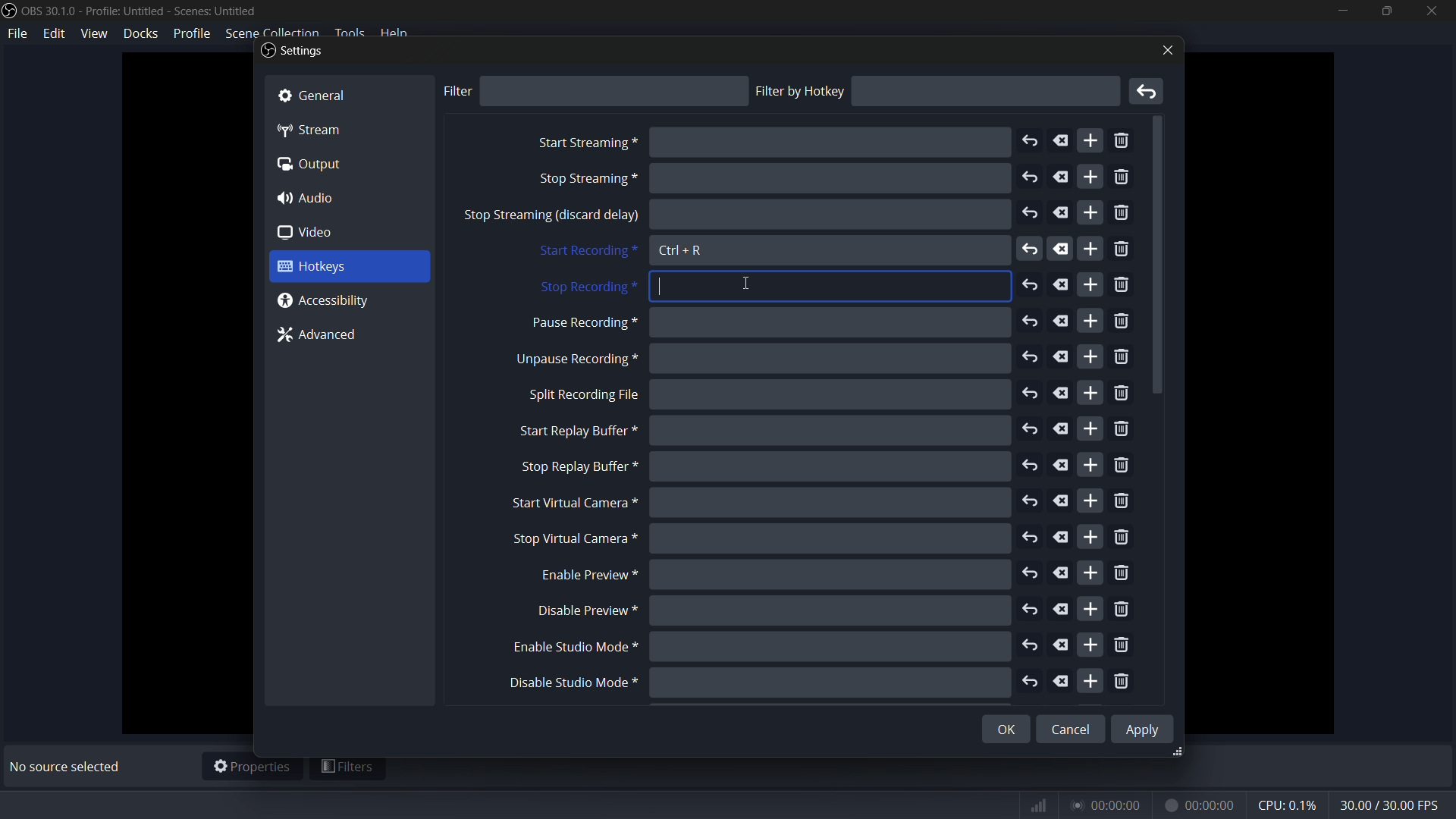 This screenshot has height=819, width=1456. Describe the element at coordinates (396, 33) in the screenshot. I see `help menu` at that location.